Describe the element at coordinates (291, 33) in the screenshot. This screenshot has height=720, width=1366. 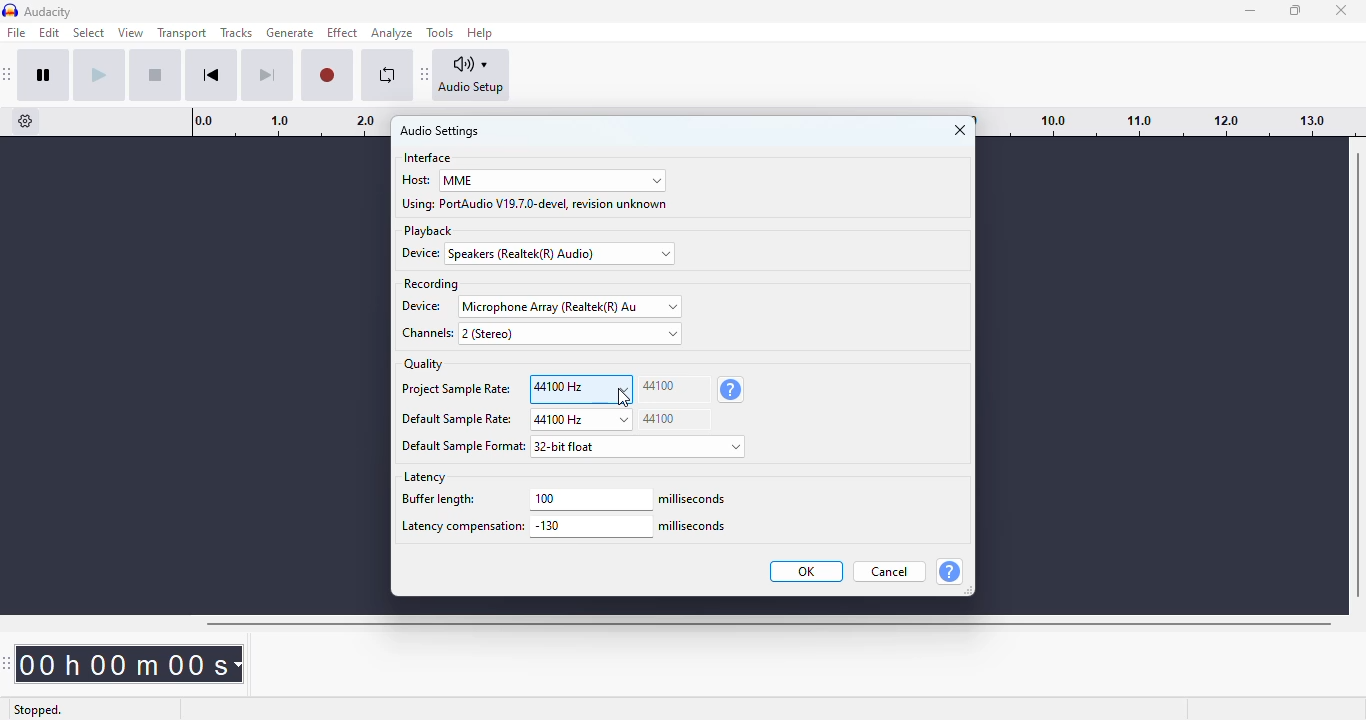
I see `generate` at that location.